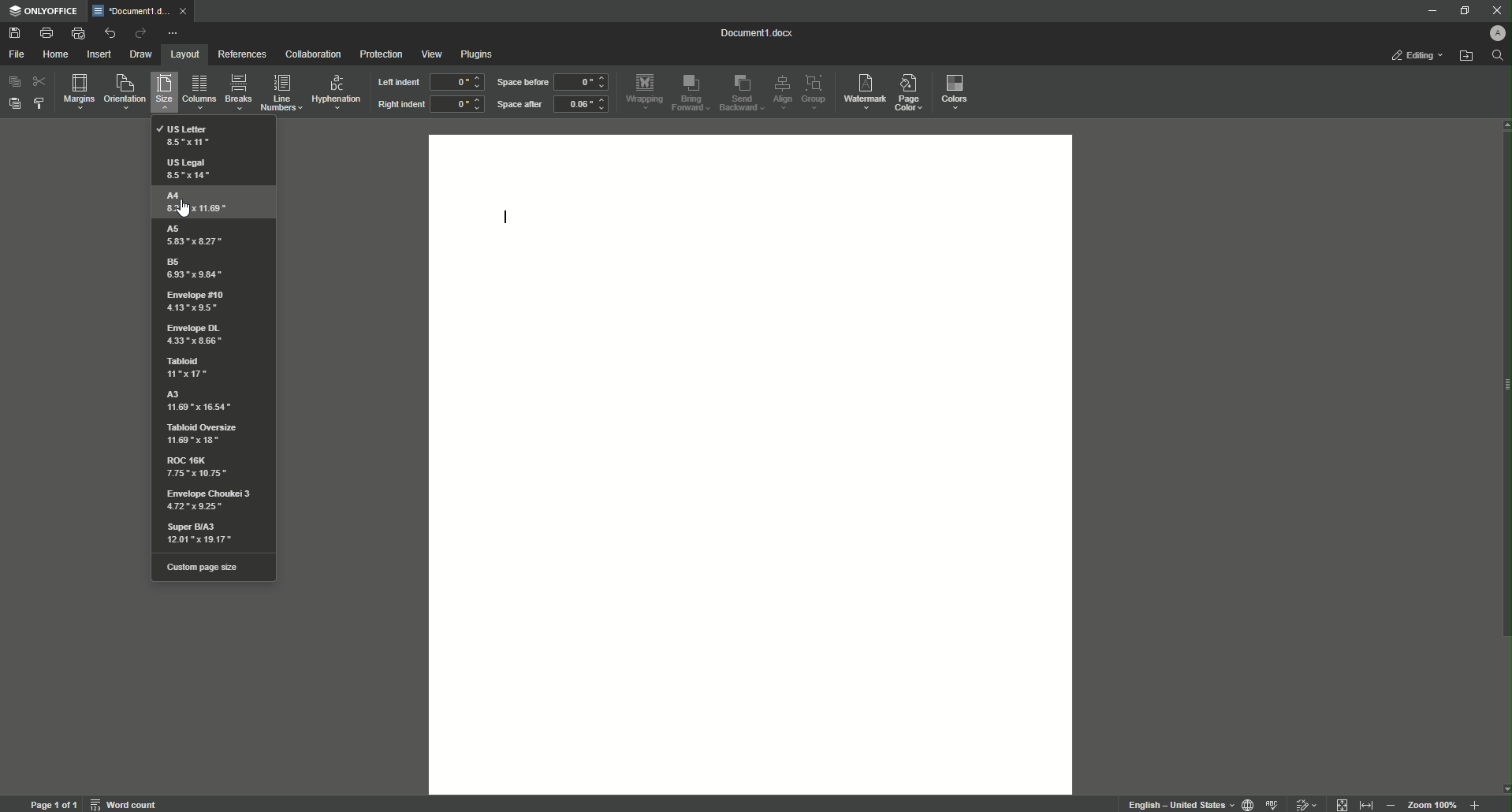 The image size is (1512, 812). I want to click on Down, so click(1503, 785).